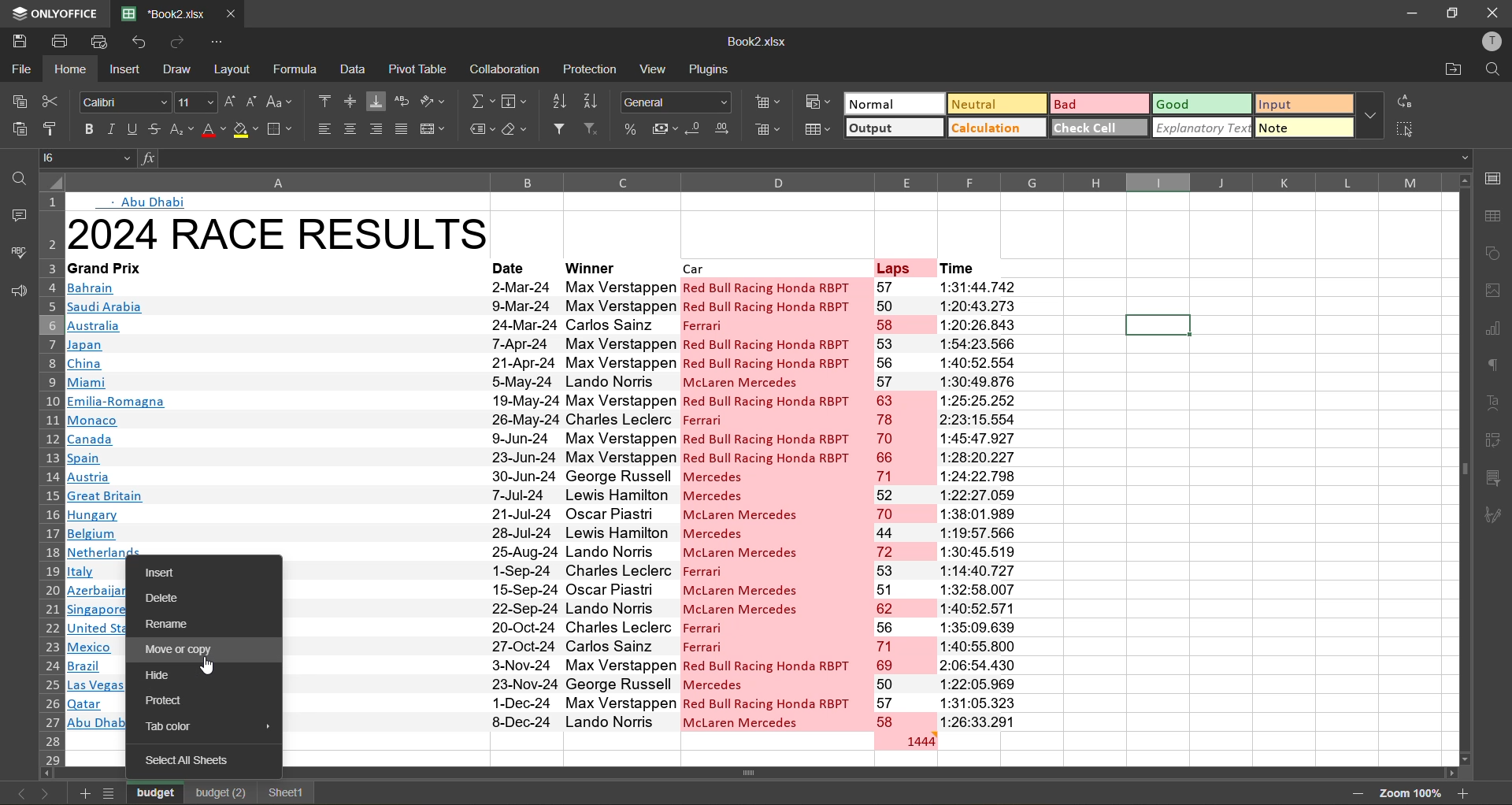 This screenshot has width=1512, height=805. What do you see at coordinates (157, 791) in the screenshot?
I see `sheet names` at bounding box center [157, 791].